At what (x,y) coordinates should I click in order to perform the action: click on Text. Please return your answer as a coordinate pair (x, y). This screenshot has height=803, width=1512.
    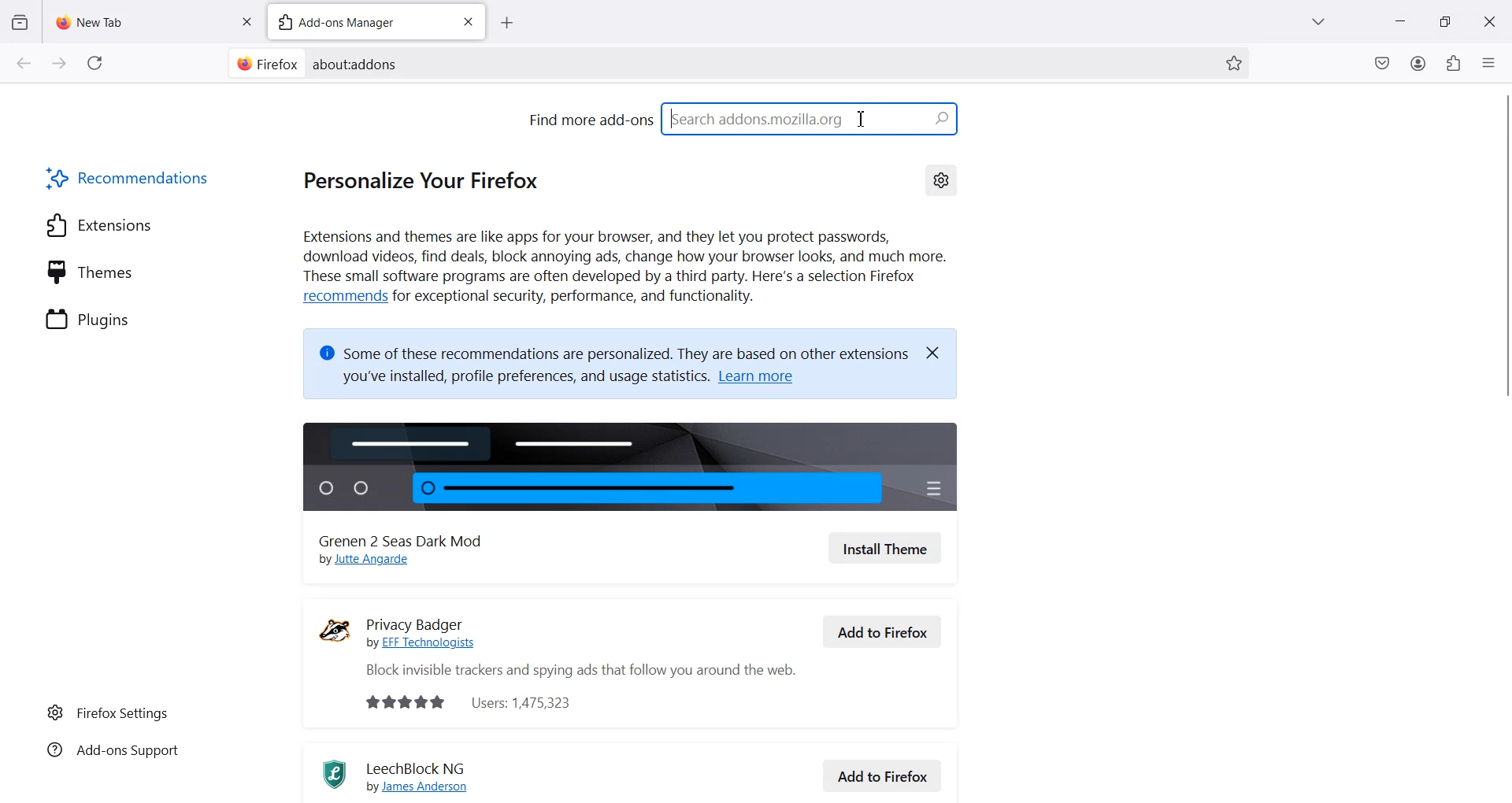
    Looking at the image, I should click on (357, 64).